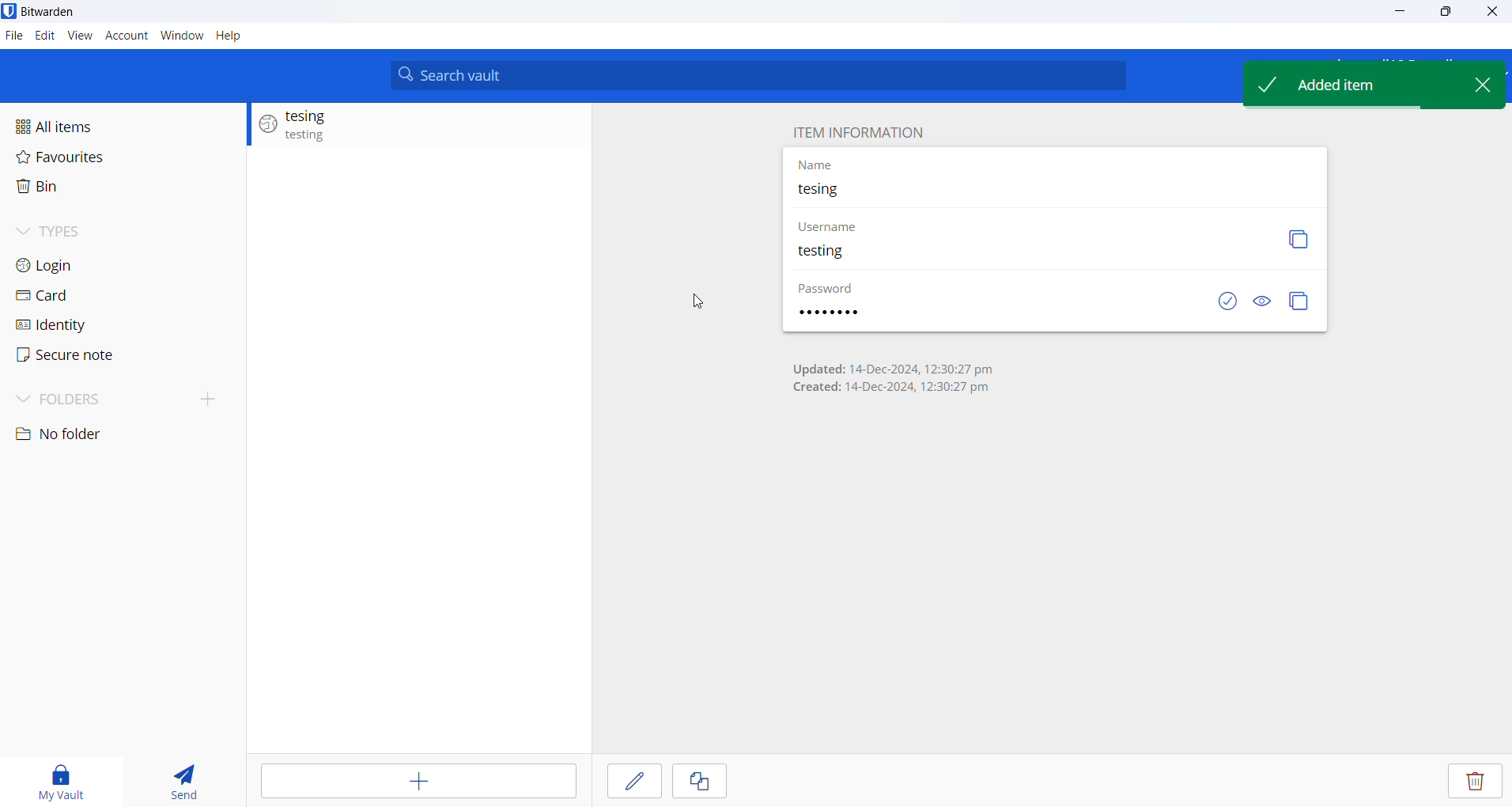 This screenshot has width=1512, height=807. What do you see at coordinates (94, 434) in the screenshot?
I see `no folder` at bounding box center [94, 434].